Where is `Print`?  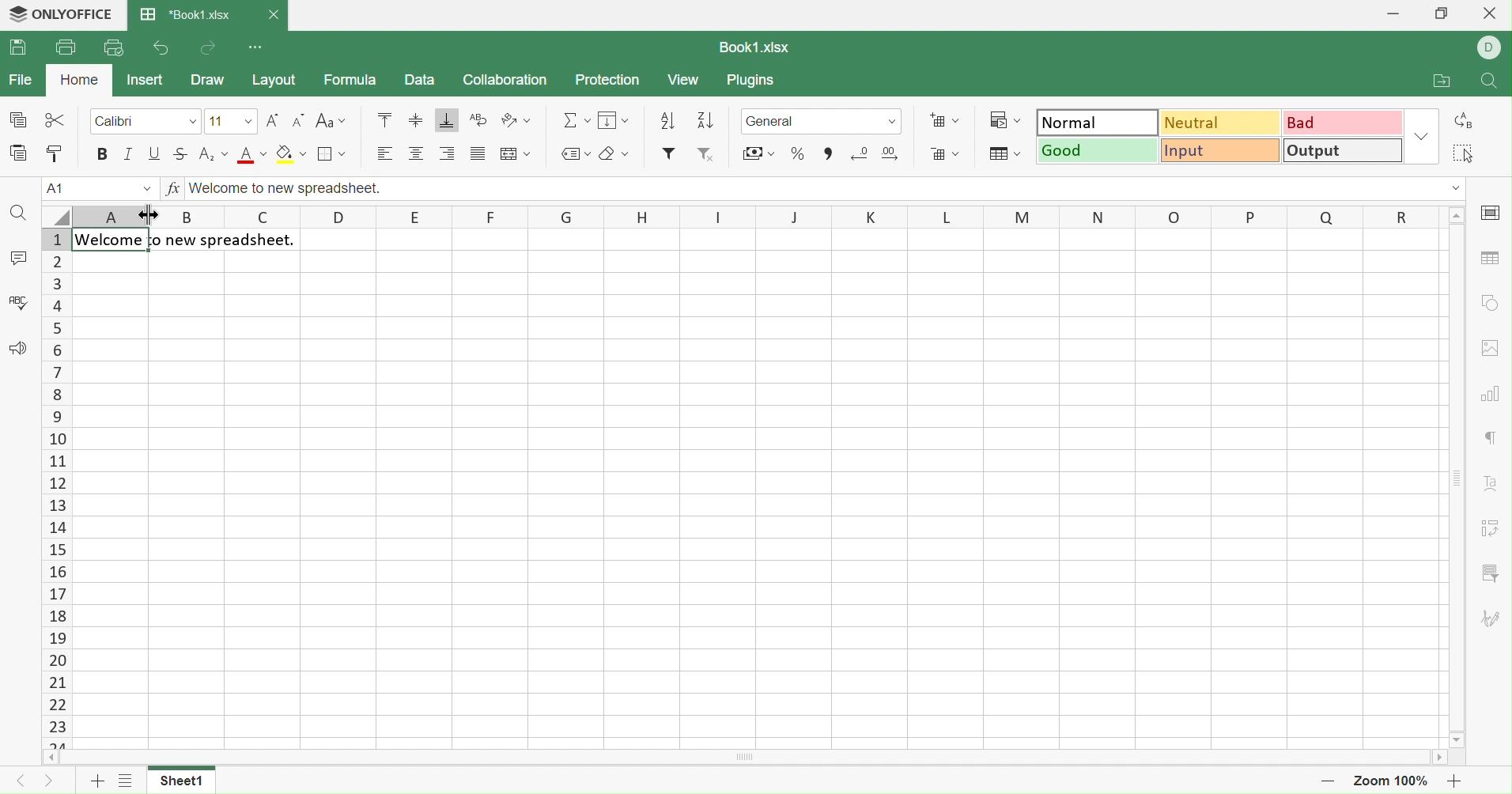 Print is located at coordinates (66, 45).